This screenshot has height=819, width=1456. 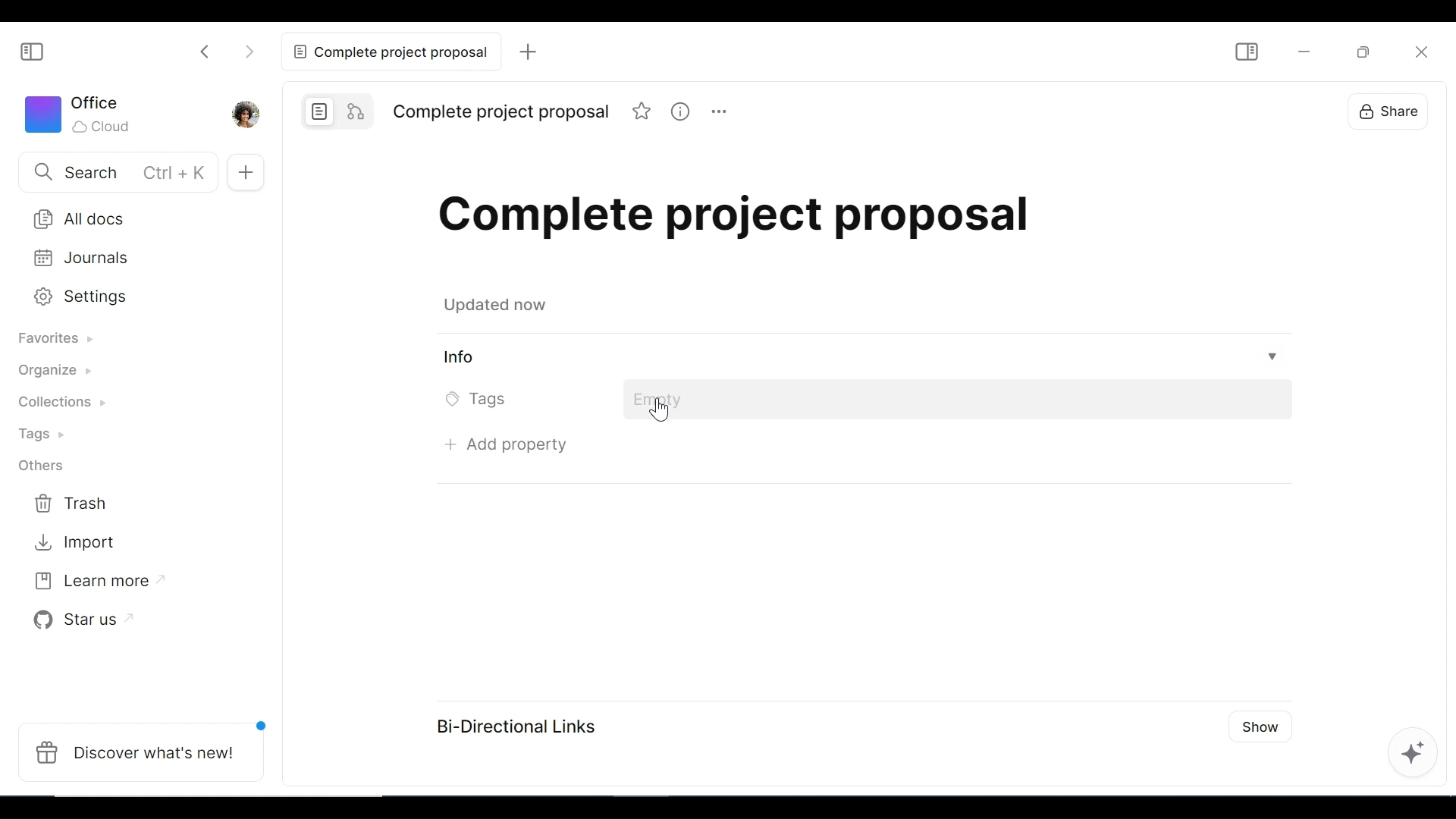 What do you see at coordinates (1421, 49) in the screenshot?
I see `Close` at bounding box center [1421, 49].